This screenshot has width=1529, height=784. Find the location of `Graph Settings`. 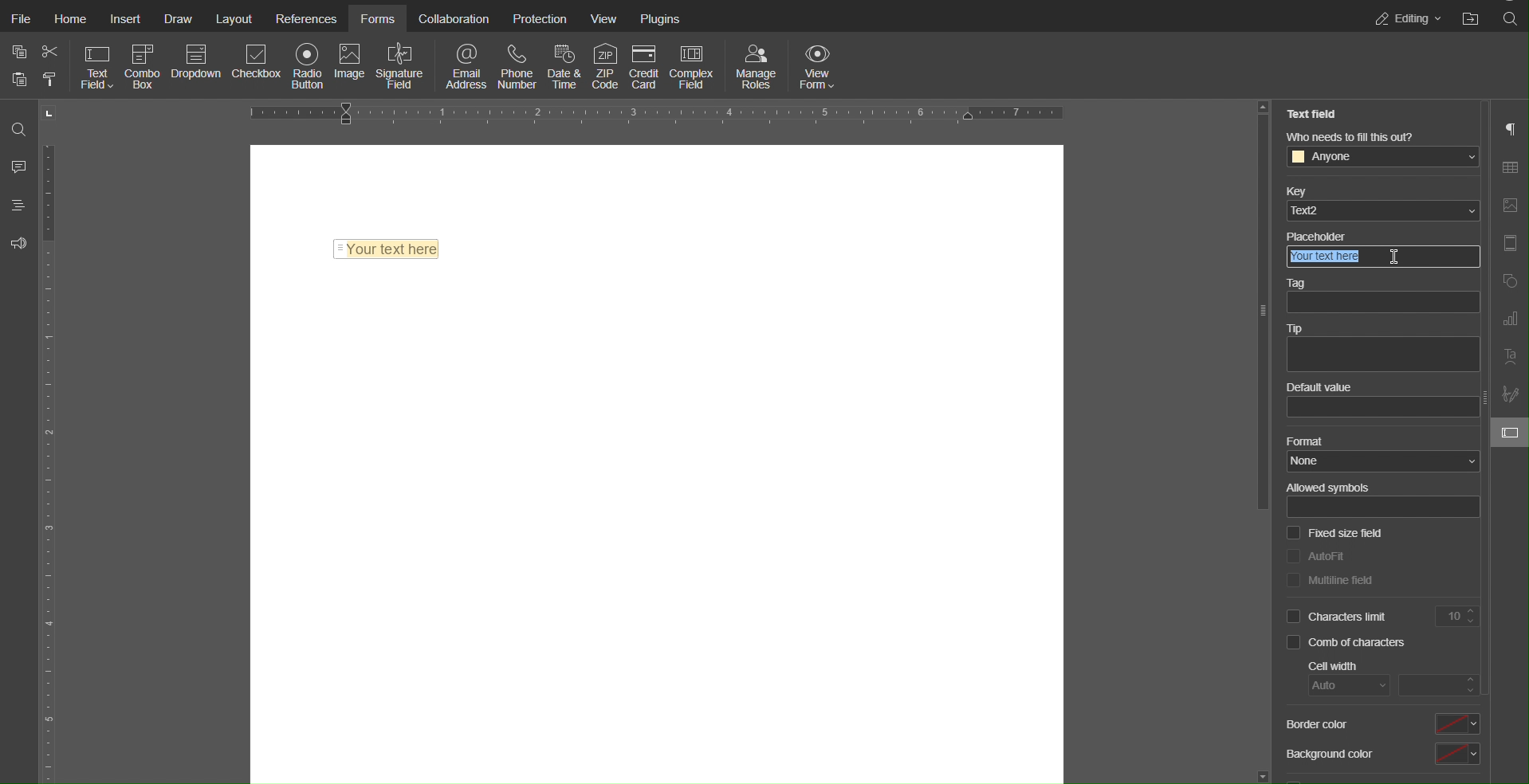

Graph Settings is located at coordinates (1509, 319).